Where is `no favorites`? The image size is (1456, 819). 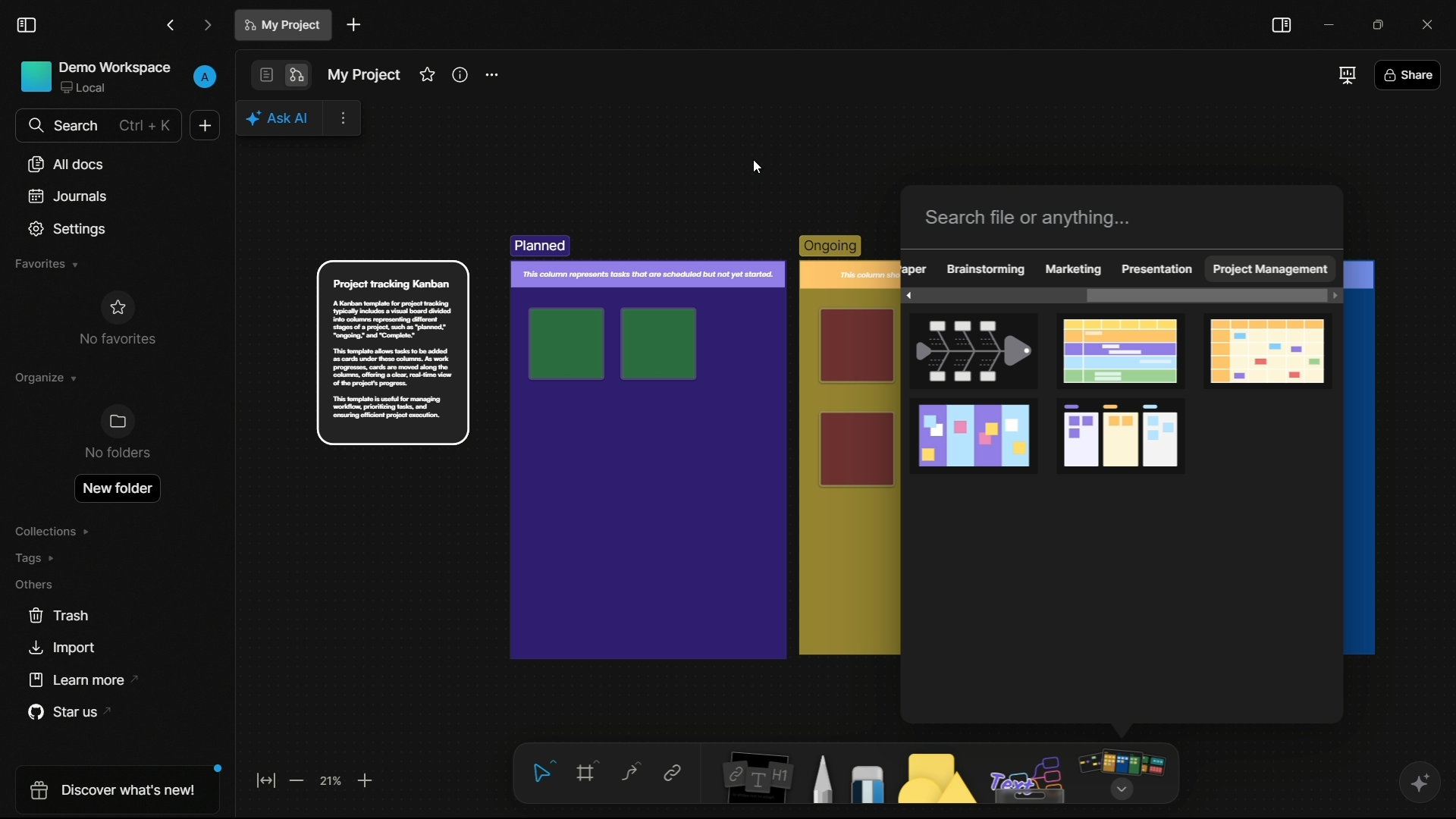 no favorites is located at coordinates (116, 318).